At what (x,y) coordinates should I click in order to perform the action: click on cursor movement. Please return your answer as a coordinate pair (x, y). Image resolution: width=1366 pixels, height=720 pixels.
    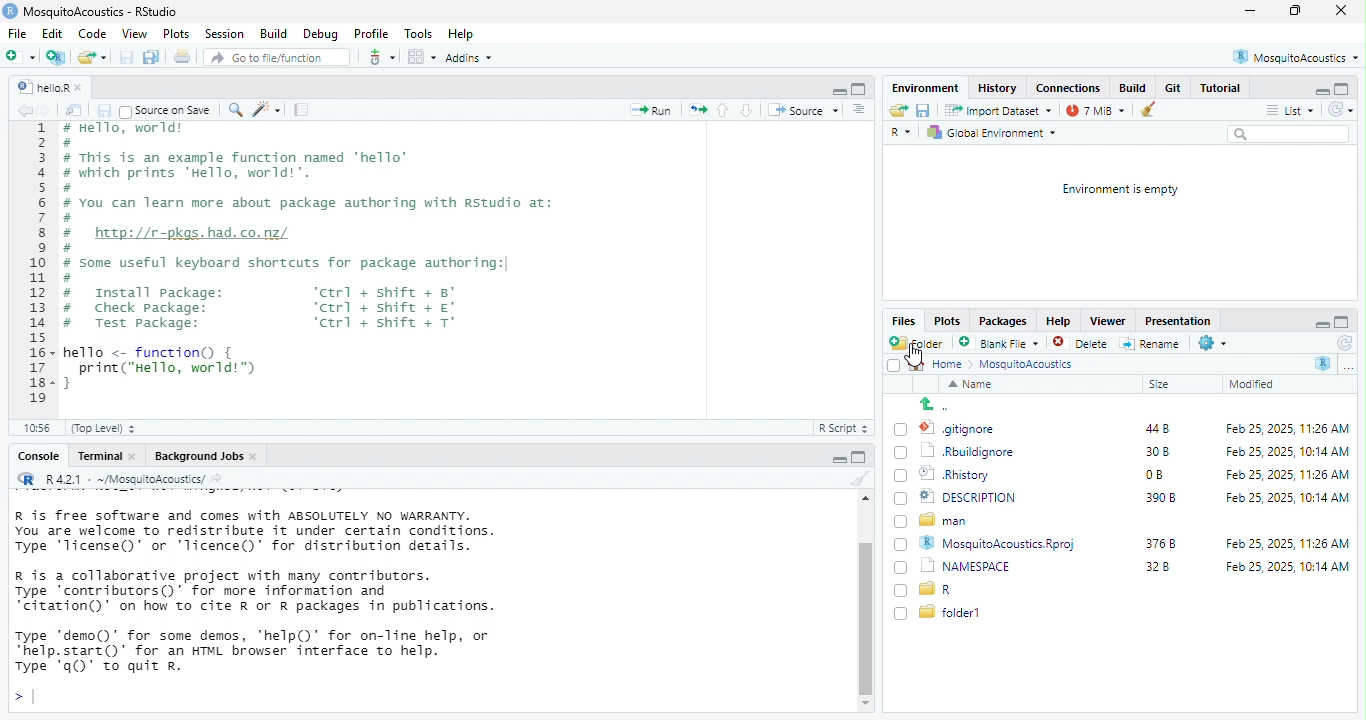
    Looking at the image, I should click on (917, 359).